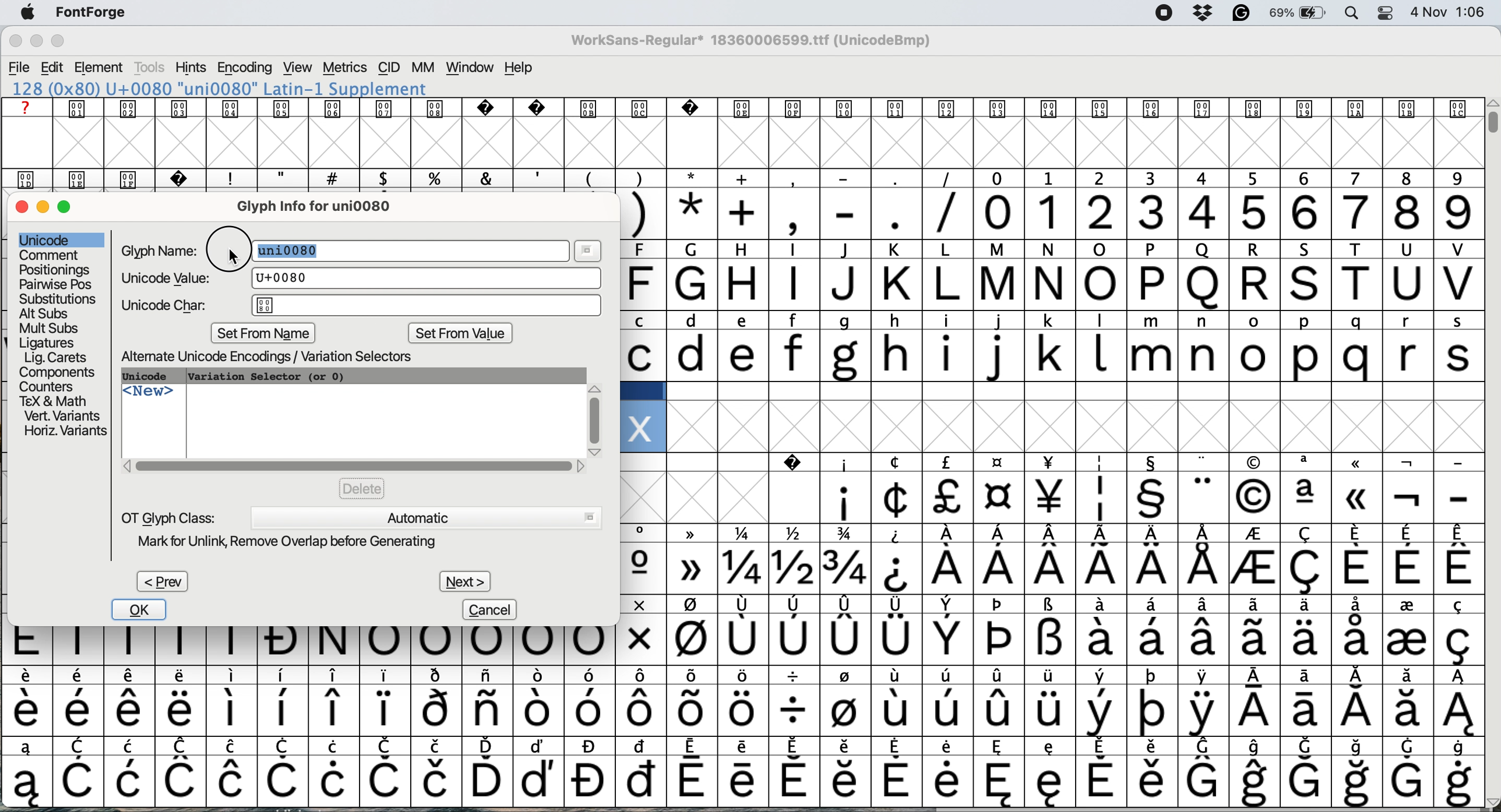 The image size is (1501, 812). Describe the element at coordinates (191, 69) in the screenshot. I see `hints` at that location.